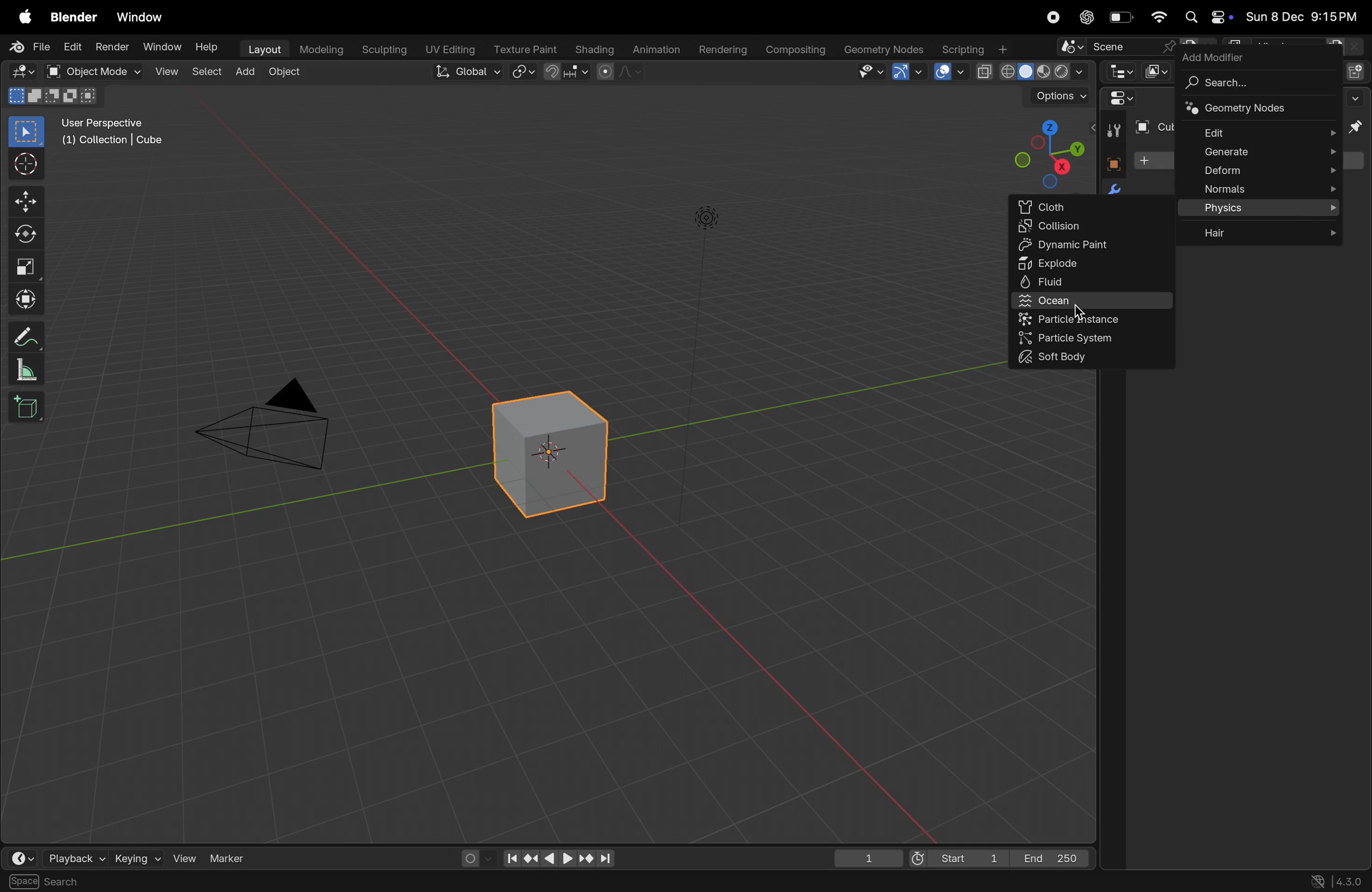 This screenshot has height=892, width=1372. Describe the element at coordinates (1338, 880) in the screenshot. I see `version` at that location.